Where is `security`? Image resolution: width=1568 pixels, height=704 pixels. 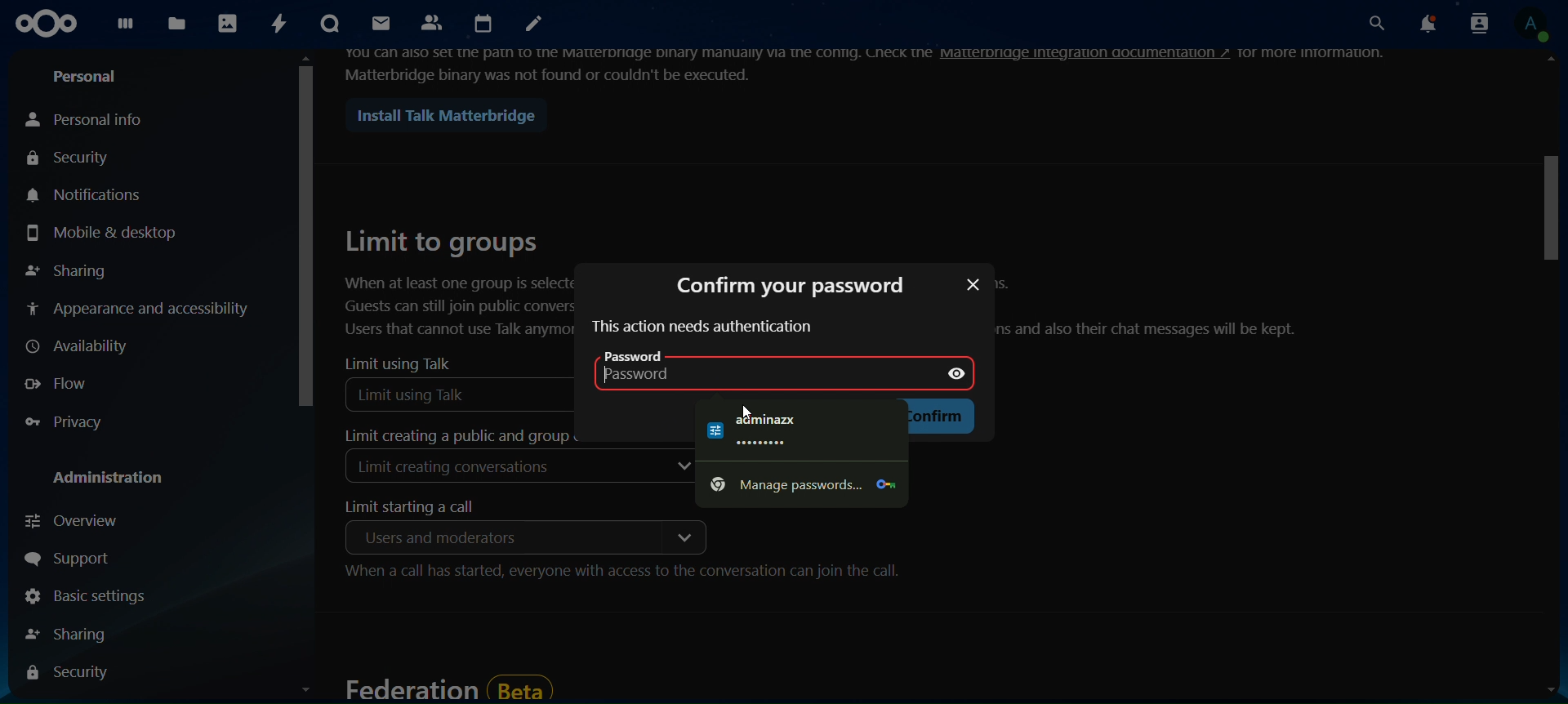
security is located at coordinates (71, 673).